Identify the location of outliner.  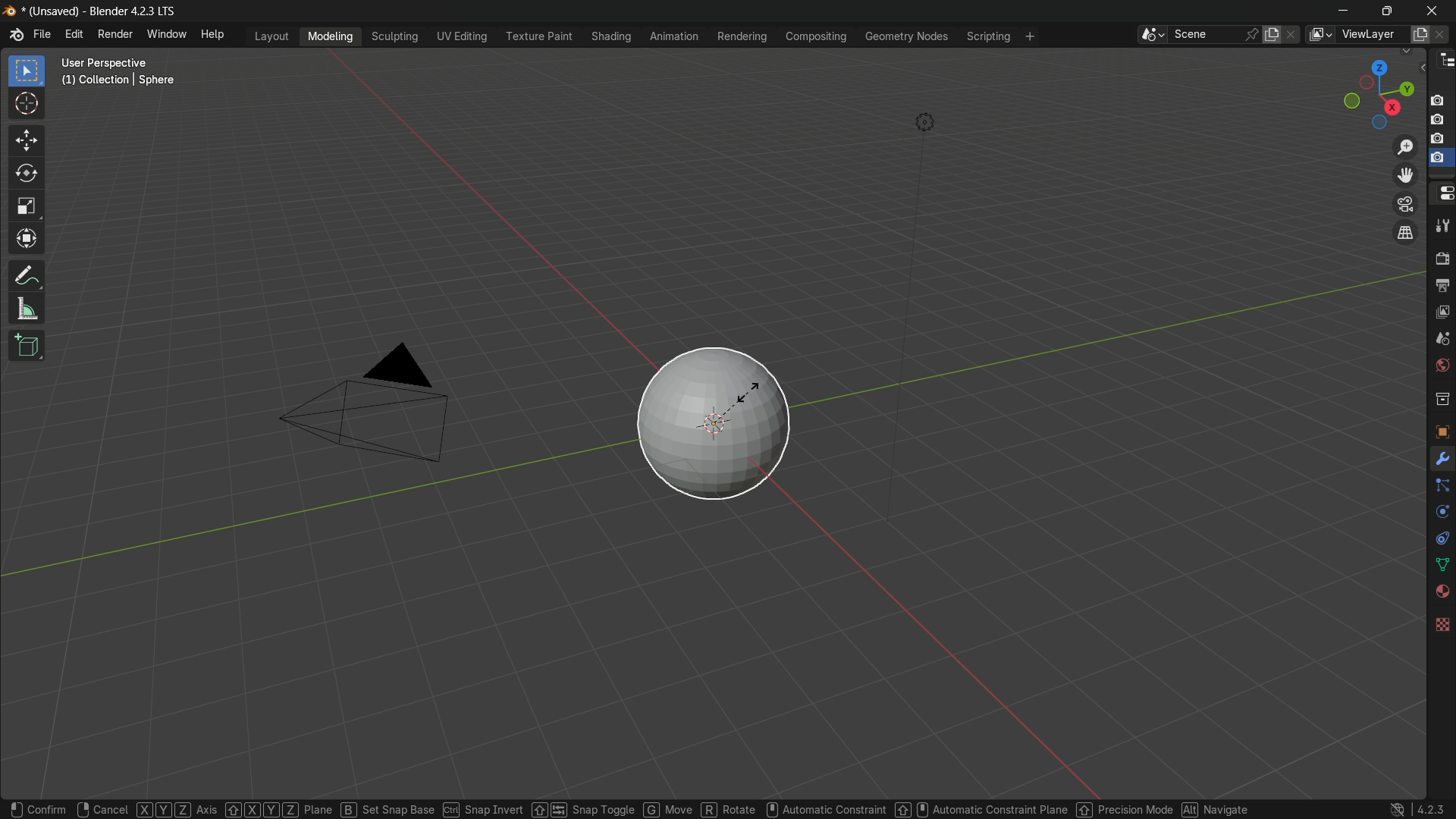
(1444, 64).